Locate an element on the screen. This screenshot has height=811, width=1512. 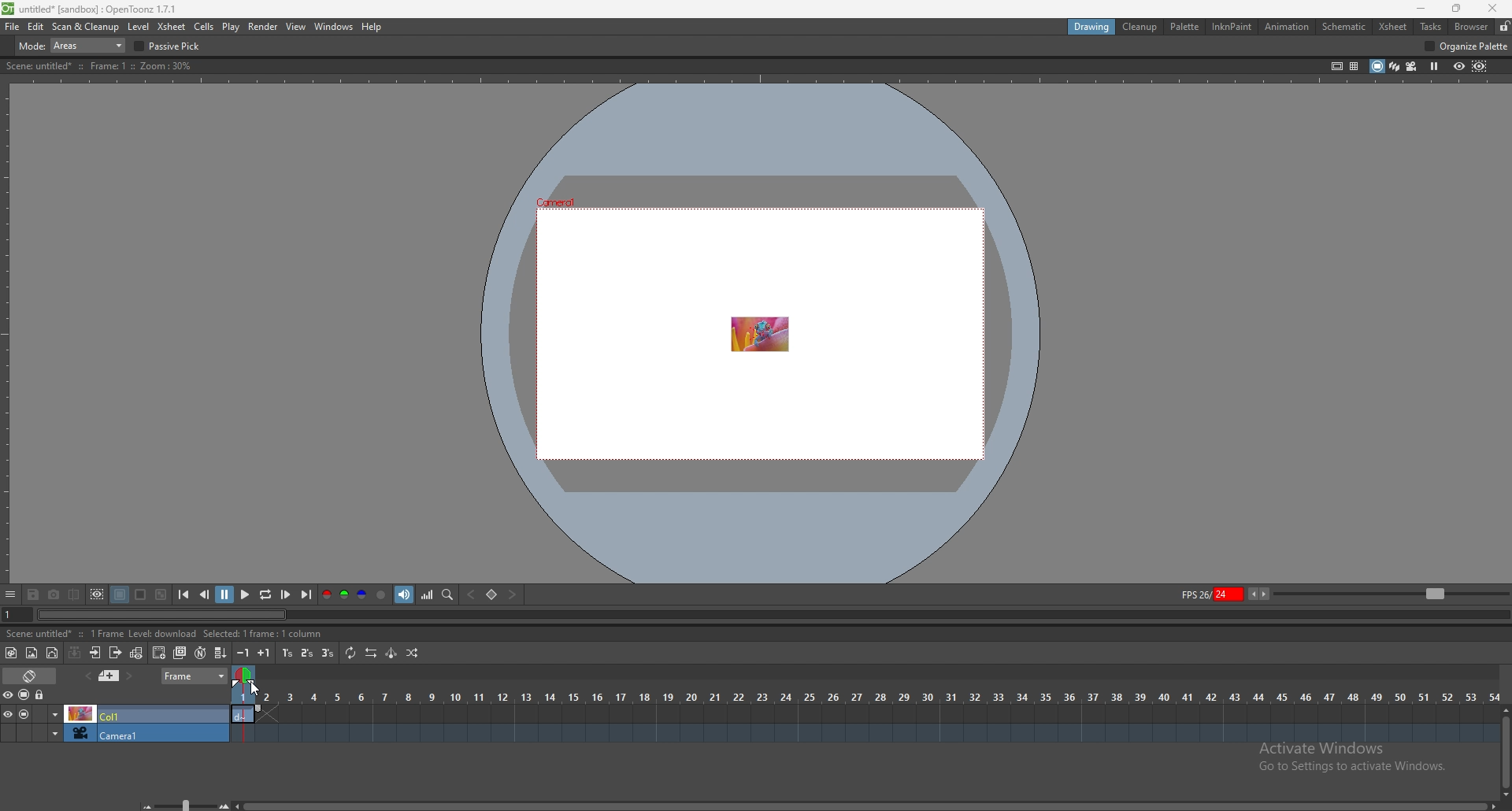
camera view is located at coordinates (1412, 66).